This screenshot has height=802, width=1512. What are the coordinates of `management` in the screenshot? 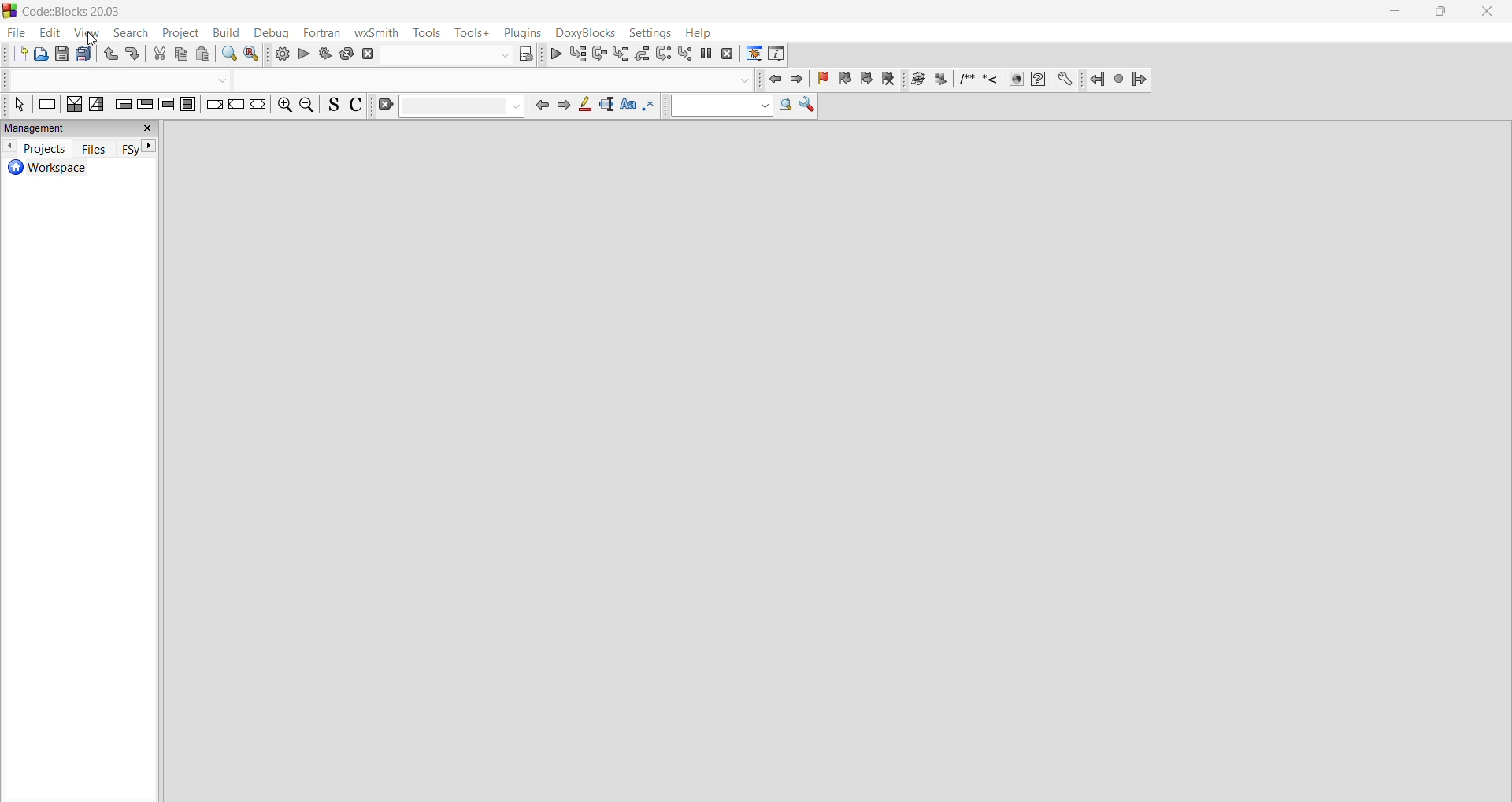 It's located at (81, 128).